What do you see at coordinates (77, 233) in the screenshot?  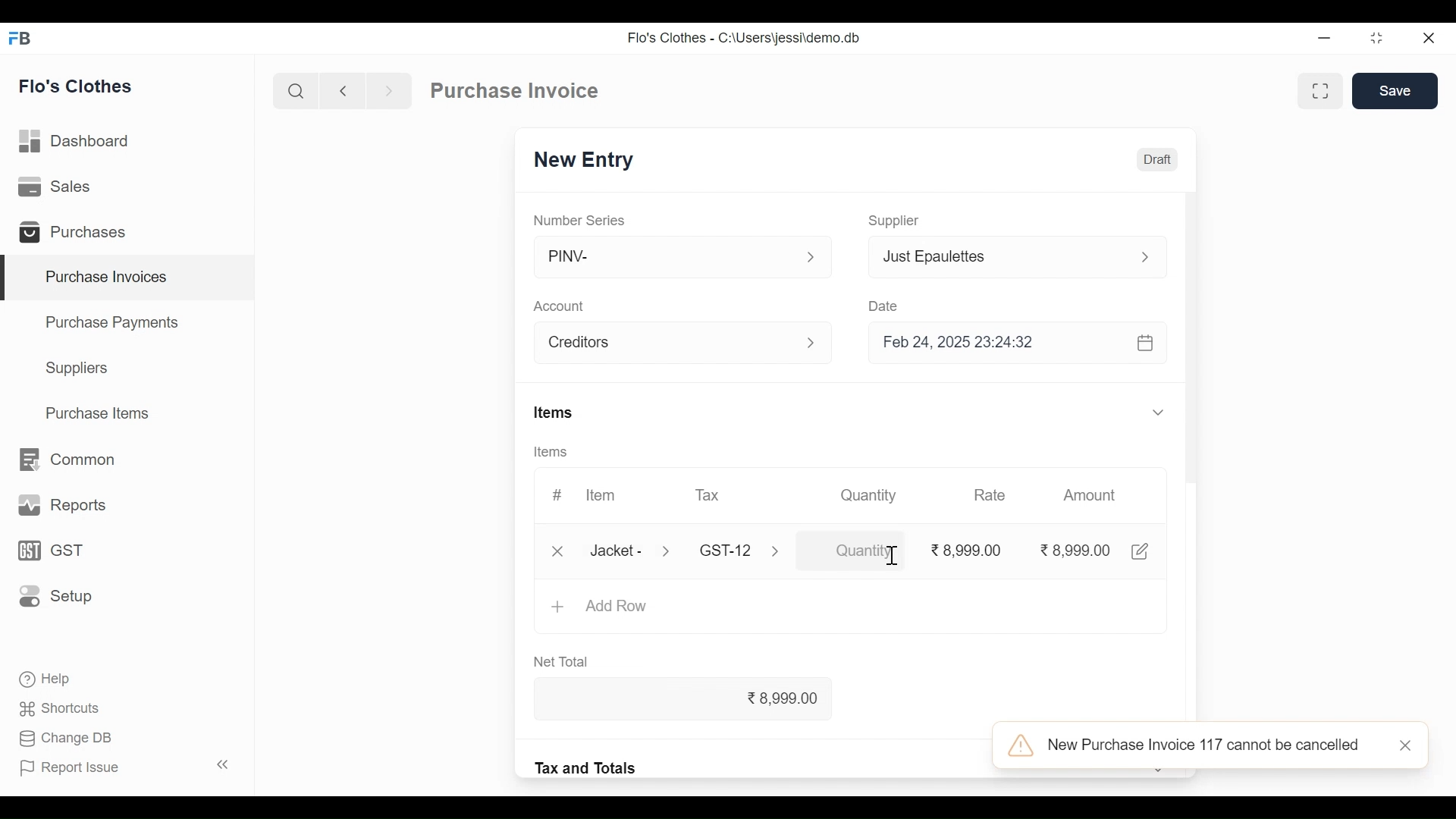 I see `Purchases` at bounding box center [77, 233].